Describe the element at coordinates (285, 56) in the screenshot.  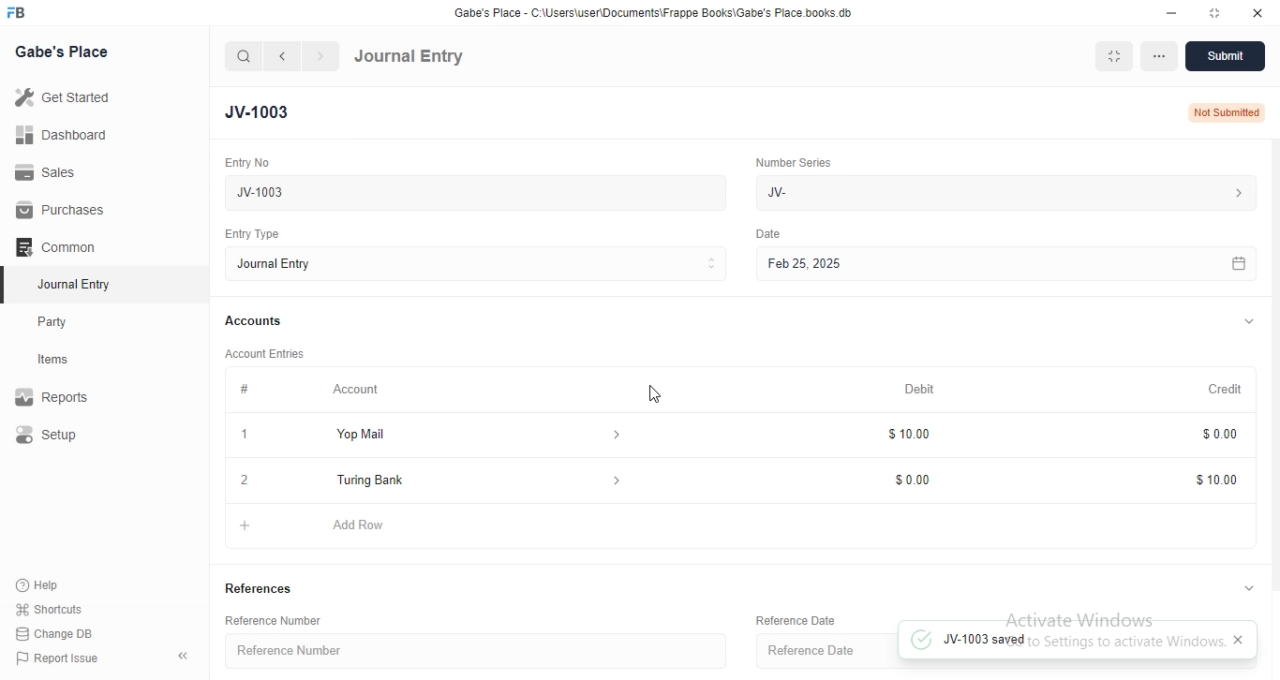
I see `navigate backward` at that location.